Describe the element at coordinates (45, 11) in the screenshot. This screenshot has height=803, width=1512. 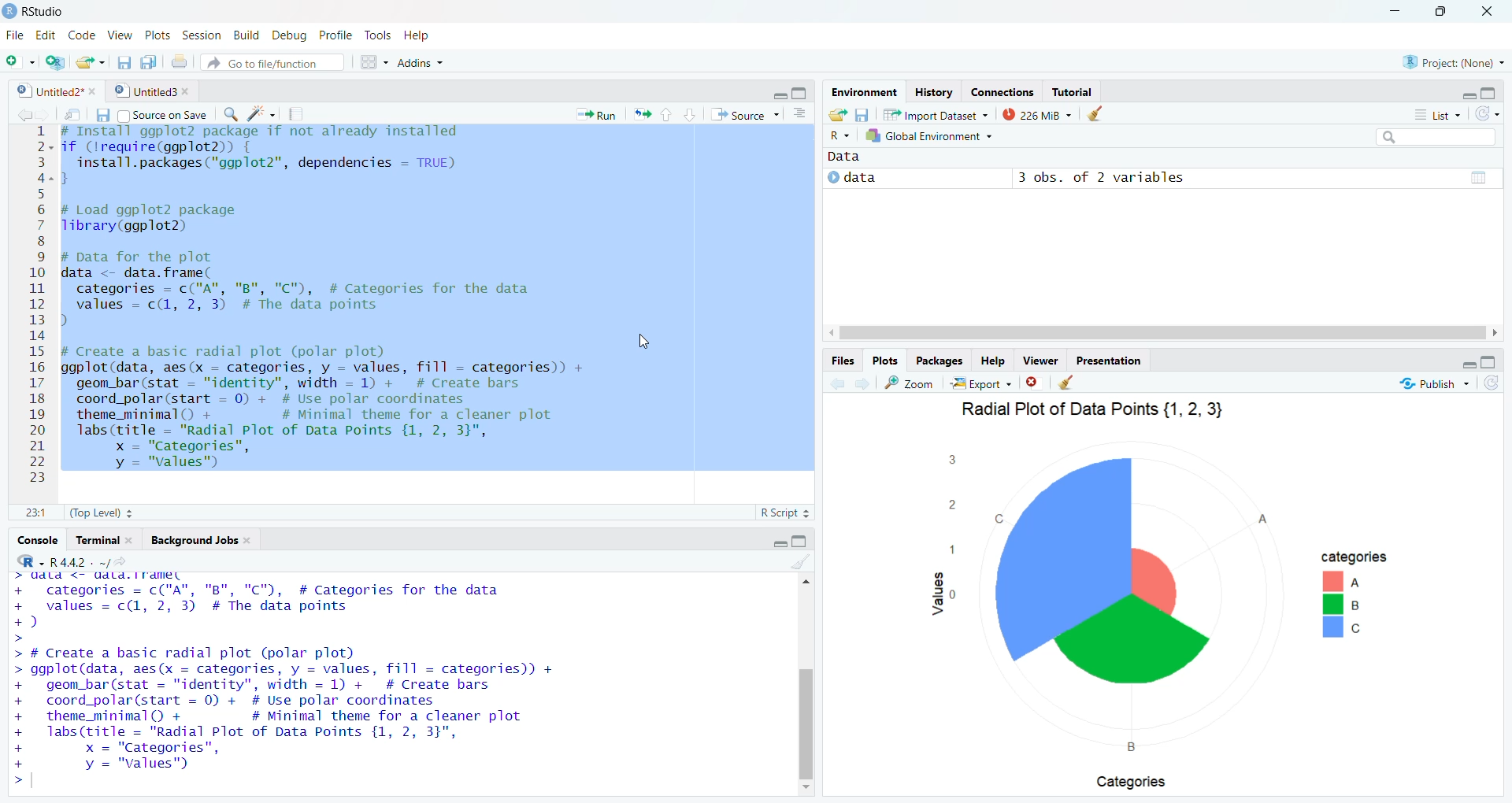
I see `RStudio` at that location.